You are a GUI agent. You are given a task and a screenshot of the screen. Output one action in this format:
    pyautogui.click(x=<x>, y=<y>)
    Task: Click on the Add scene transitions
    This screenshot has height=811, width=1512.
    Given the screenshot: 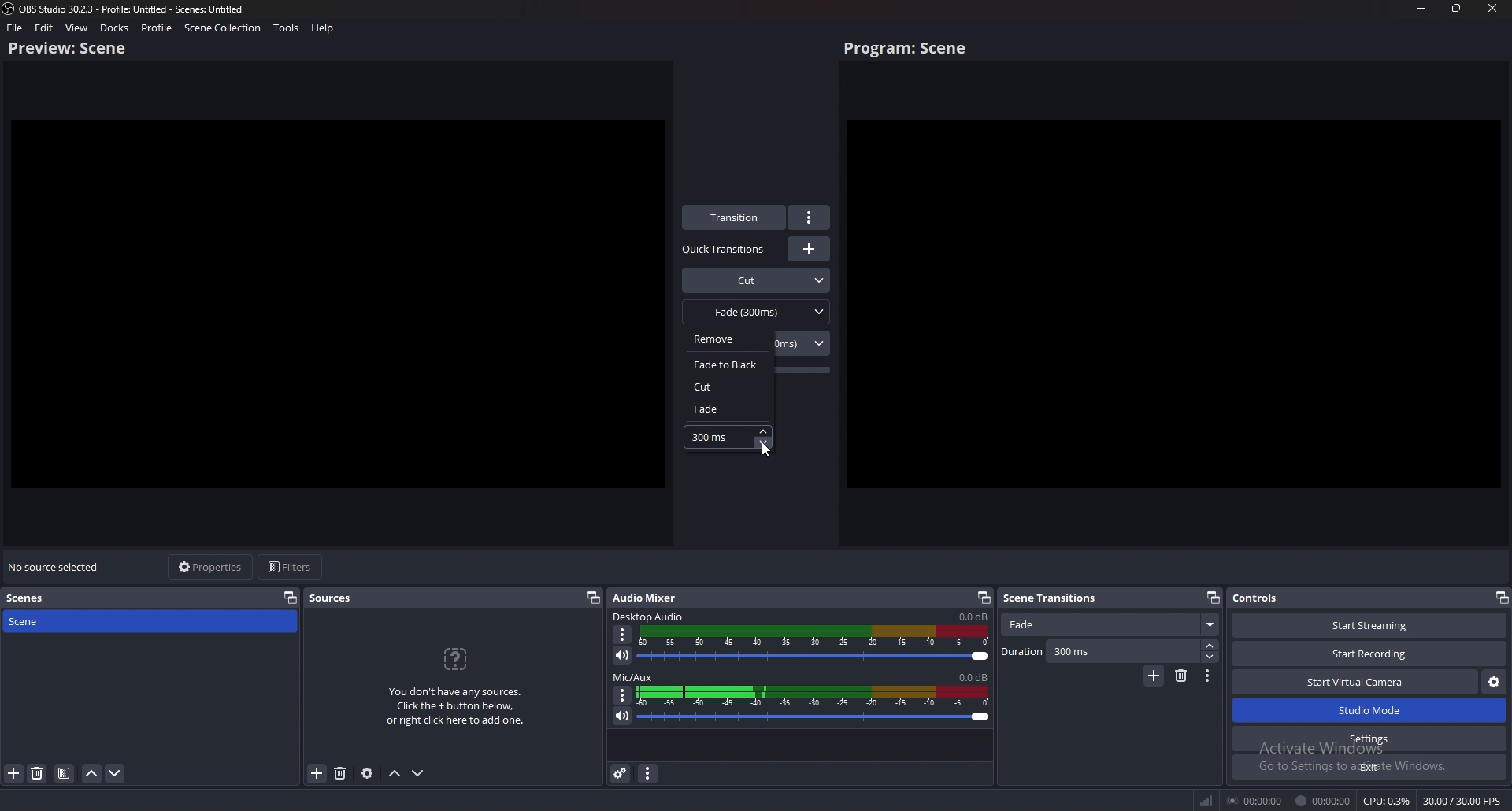 What is the action you would take?
    pyautogui.click(x=1153, y=676)
    